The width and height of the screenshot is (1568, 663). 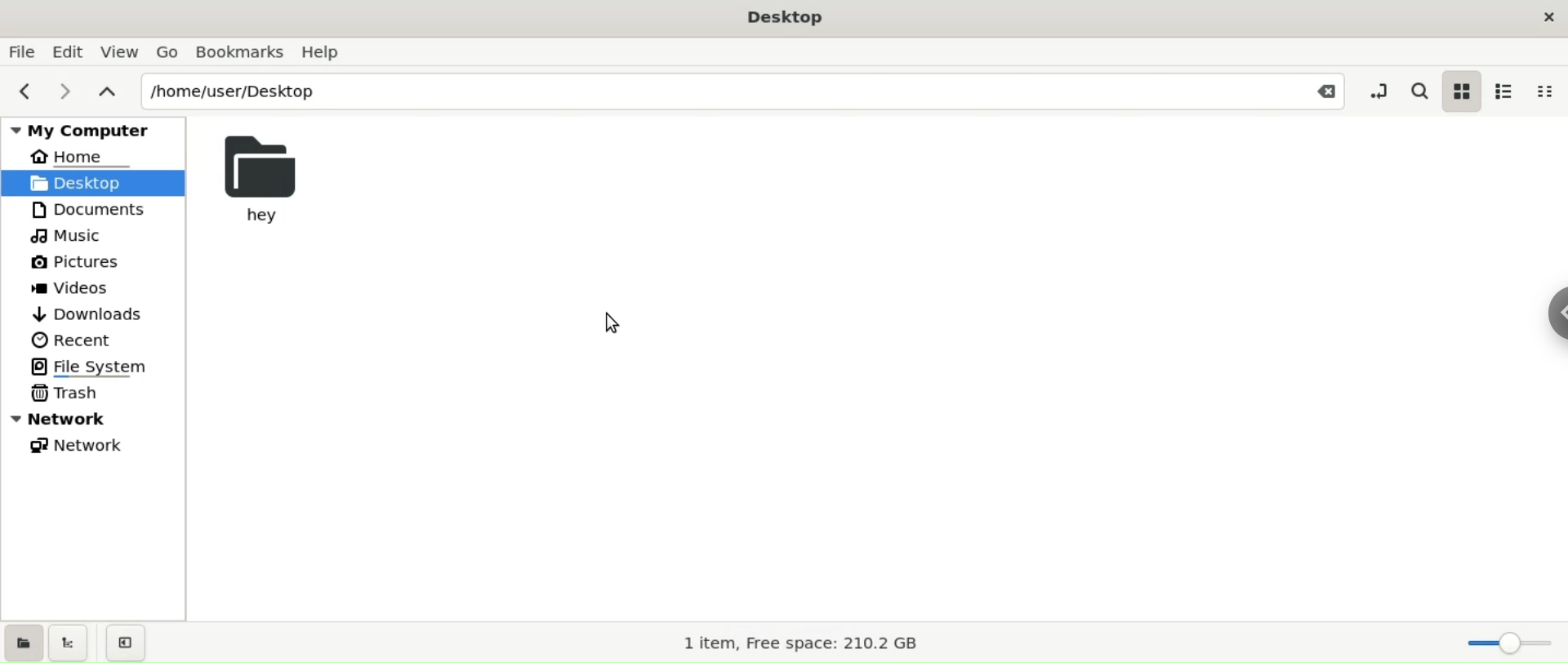 I want to click on toggle location entry, so click(x=1378, y=91).